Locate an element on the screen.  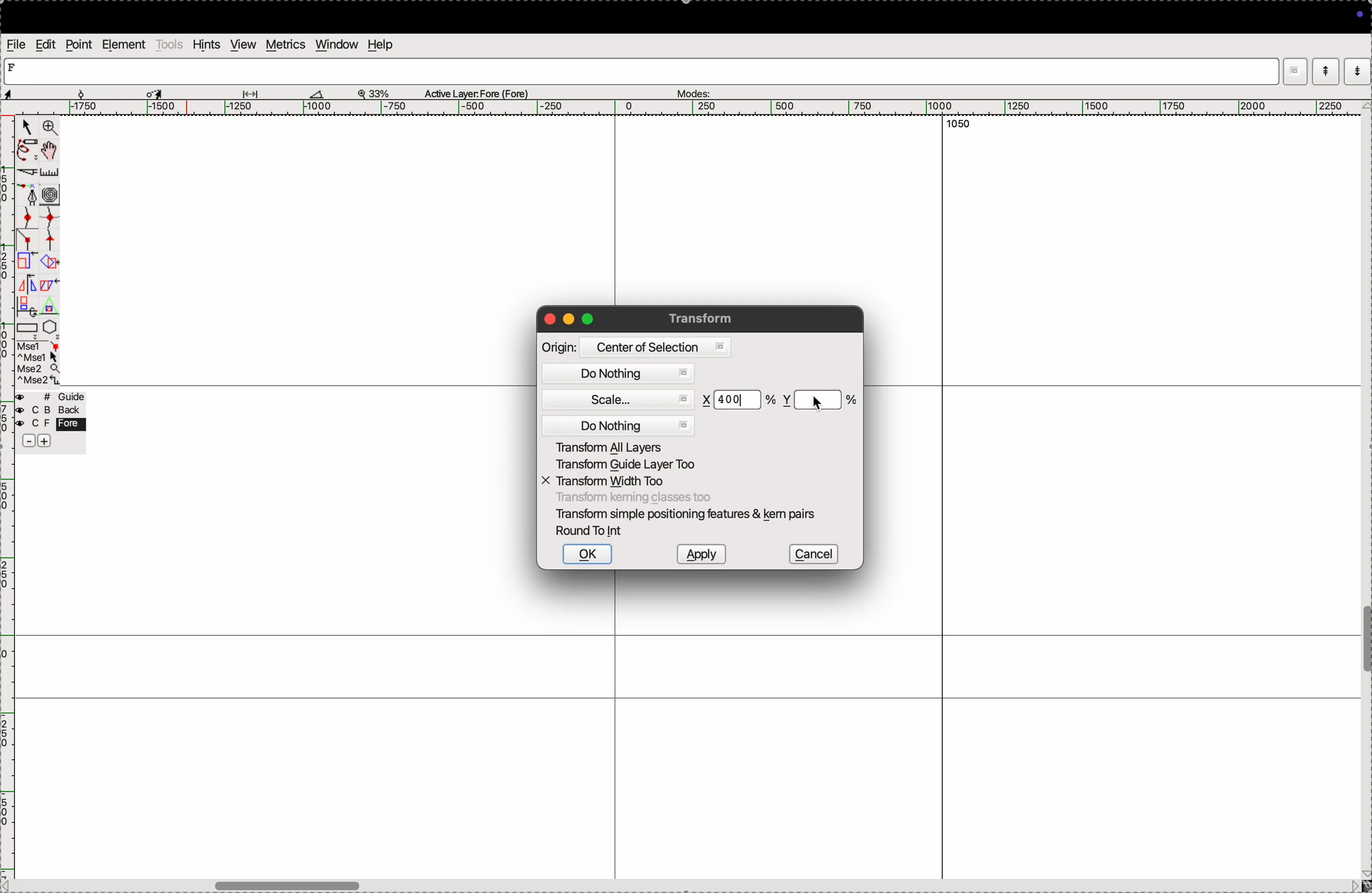
transform all yares is located at coordinates (624, 446).